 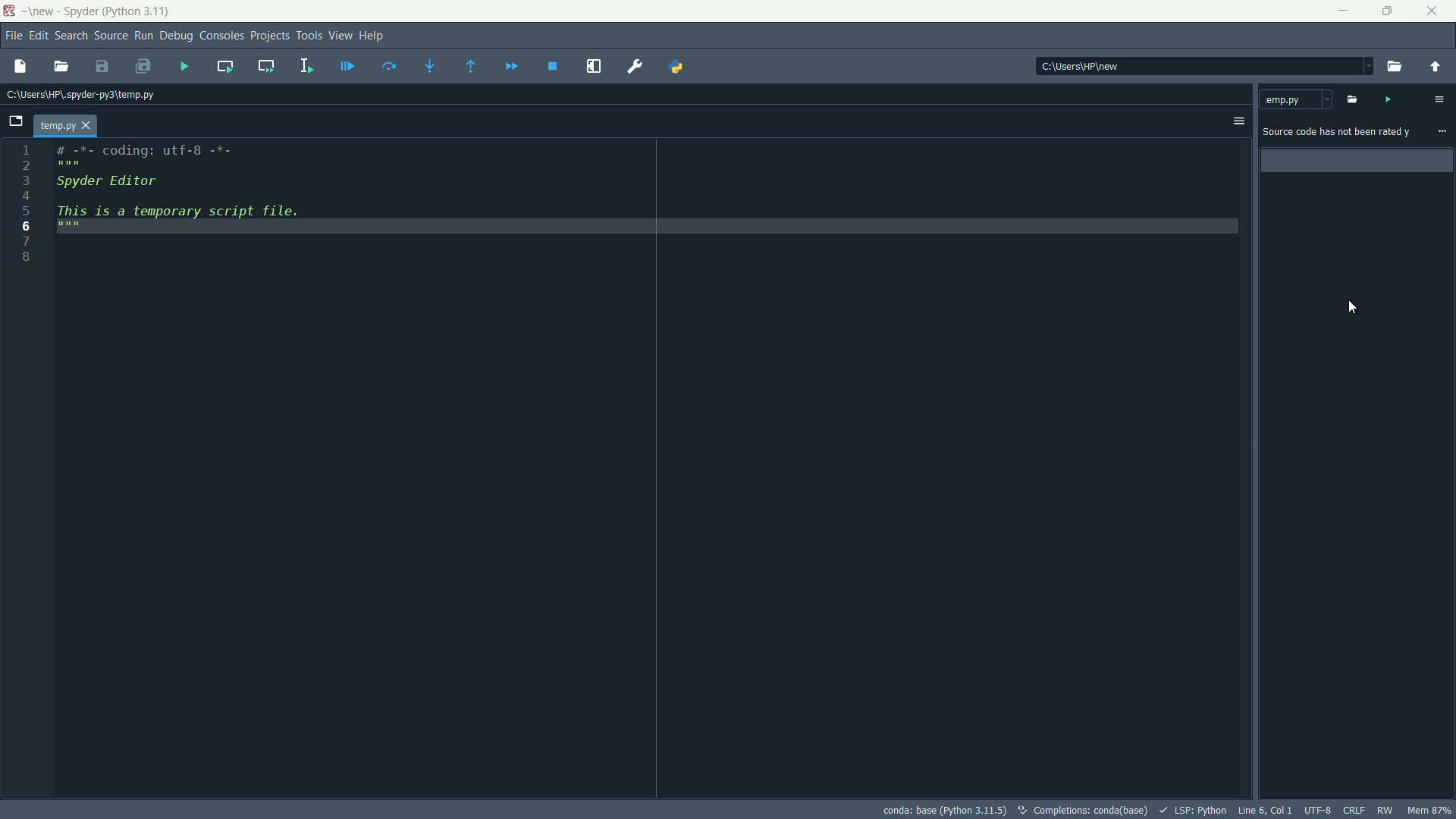 I want to click on 8, so click(x=26, y=259).